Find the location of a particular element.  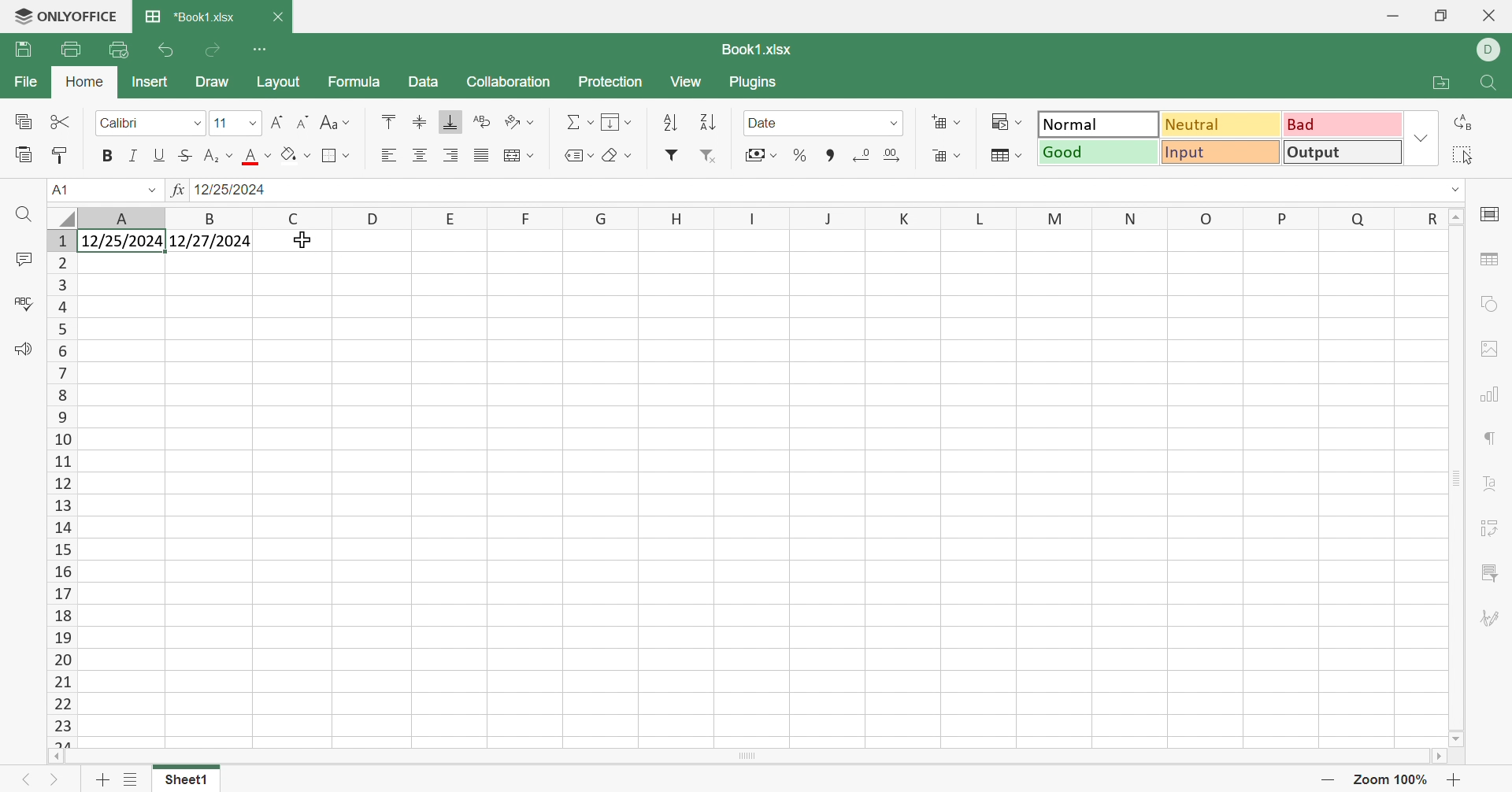

Align Left is located at coordinates (389, 156).